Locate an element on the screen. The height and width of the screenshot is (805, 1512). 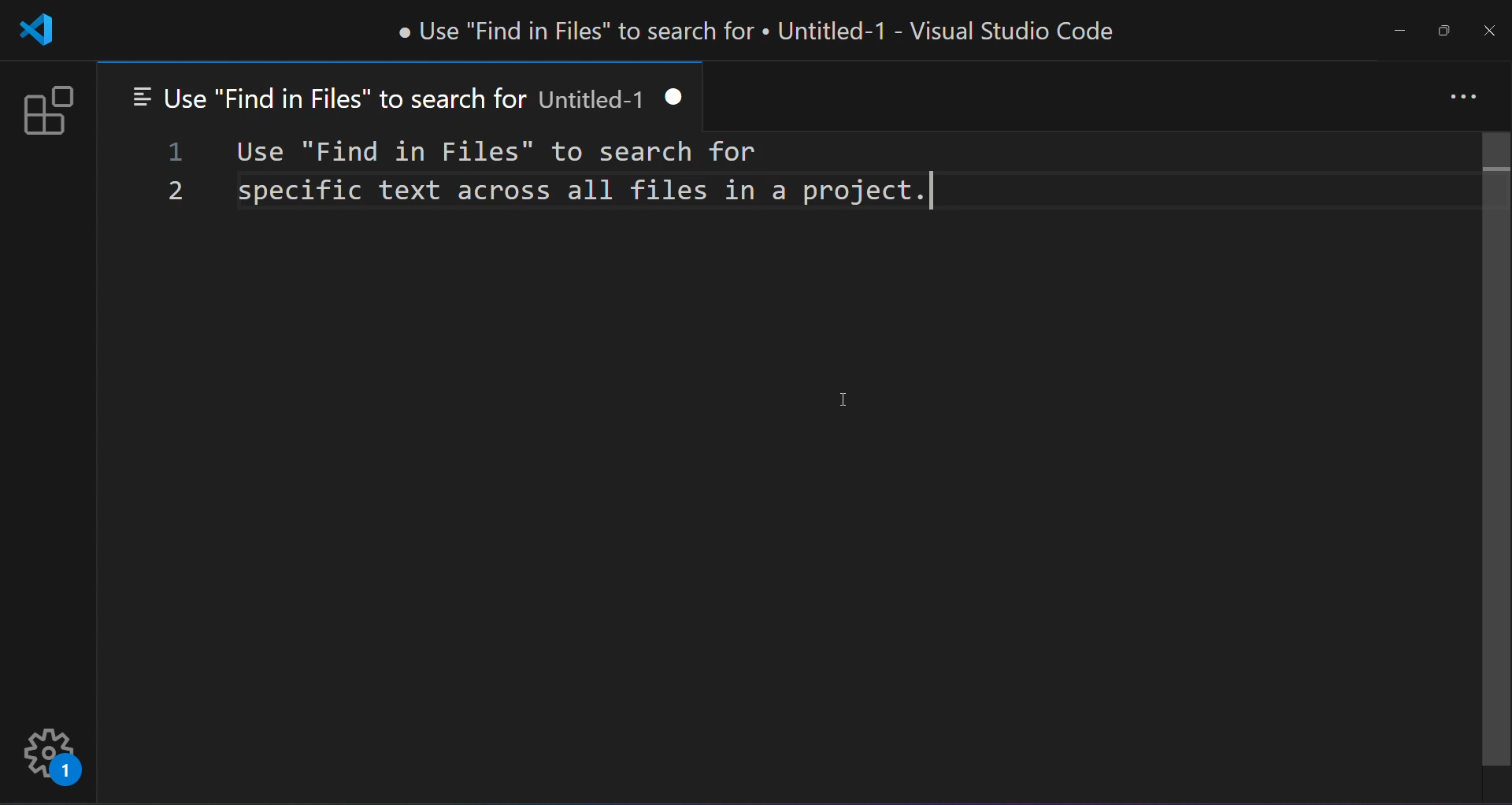
maximize is located at coordinates (1445, 31).